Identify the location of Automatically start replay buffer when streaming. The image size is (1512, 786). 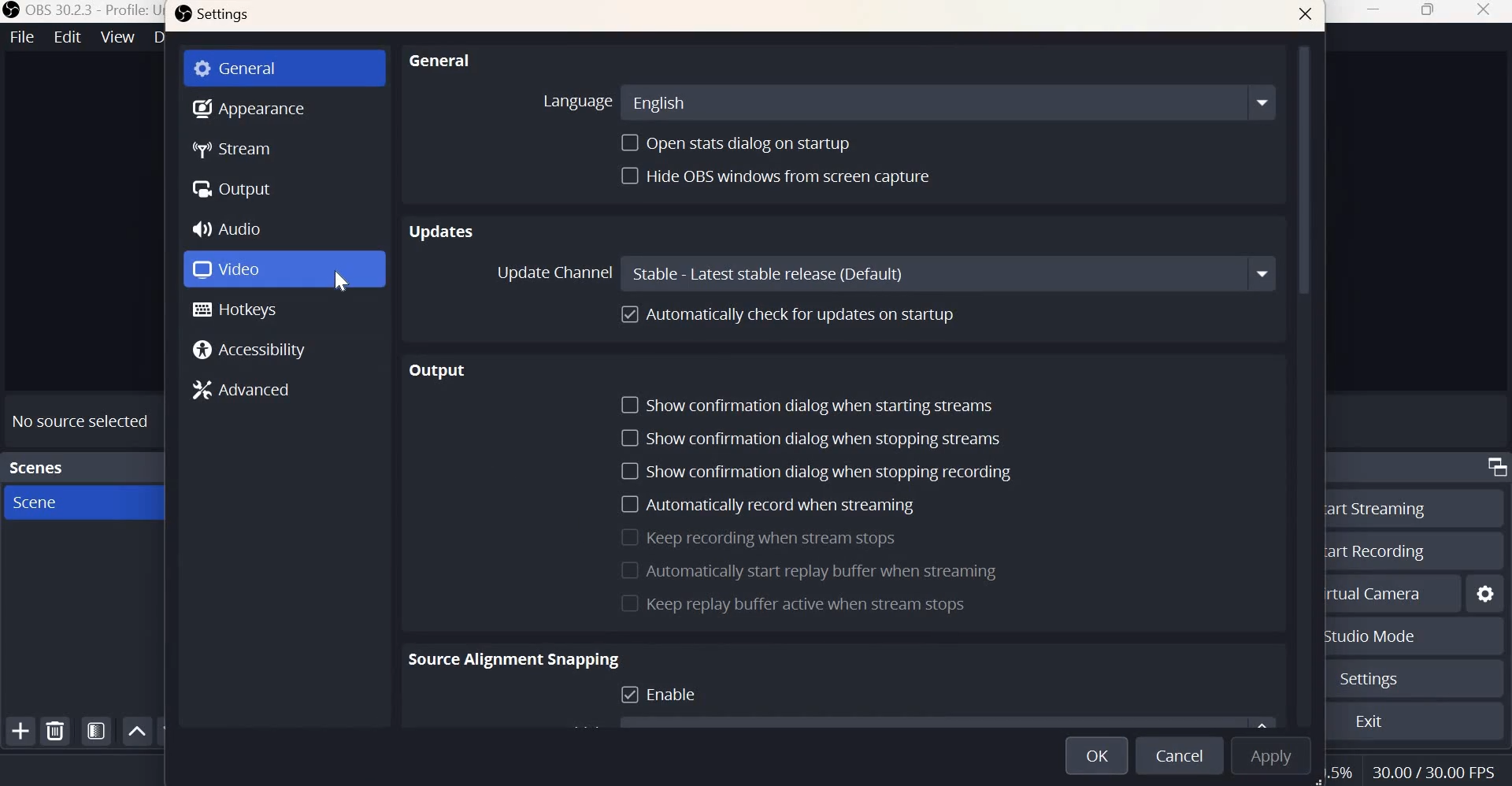
(807, 570).